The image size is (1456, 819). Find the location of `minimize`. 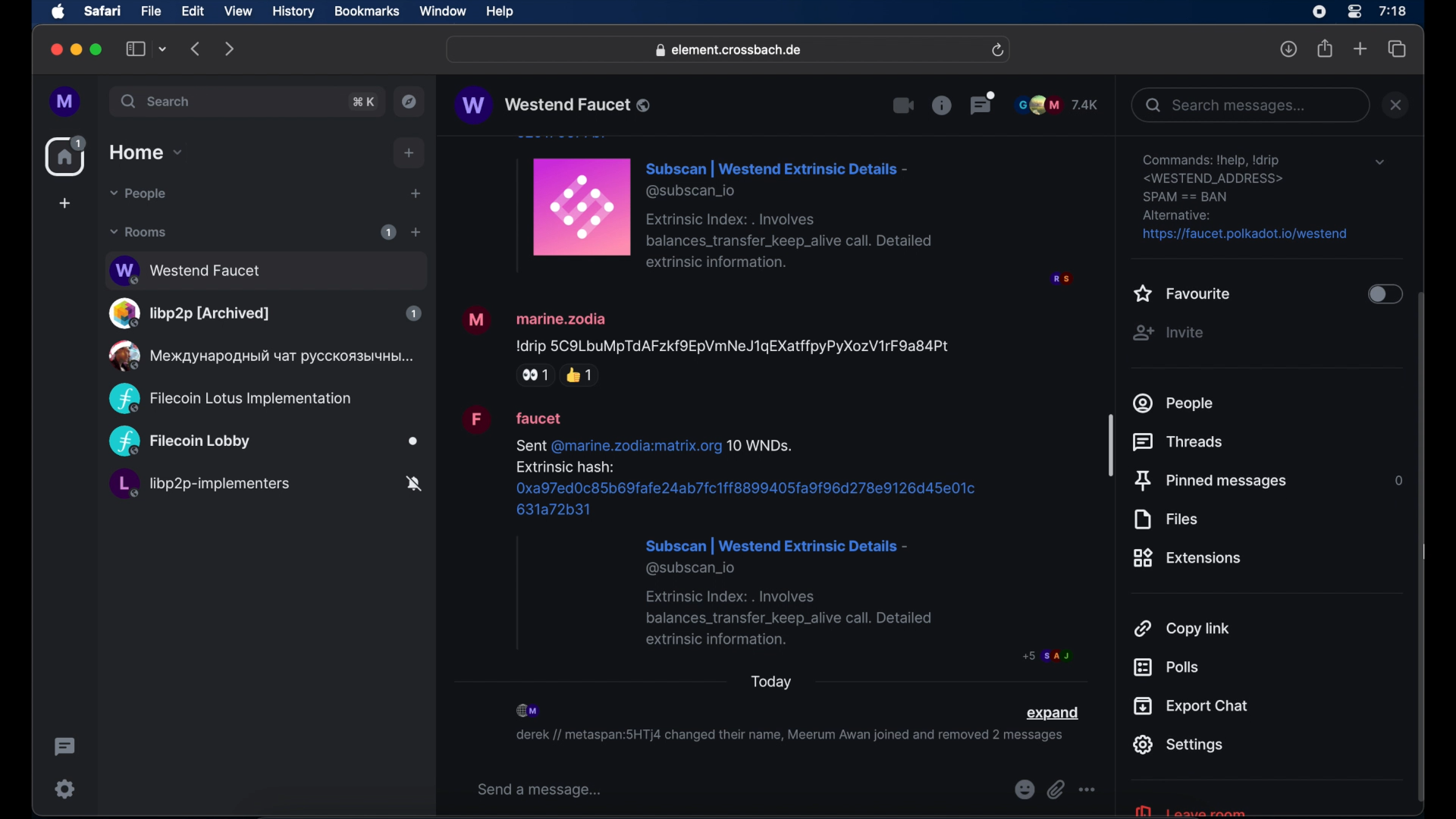

minimize is located at coordinates (77, 49).